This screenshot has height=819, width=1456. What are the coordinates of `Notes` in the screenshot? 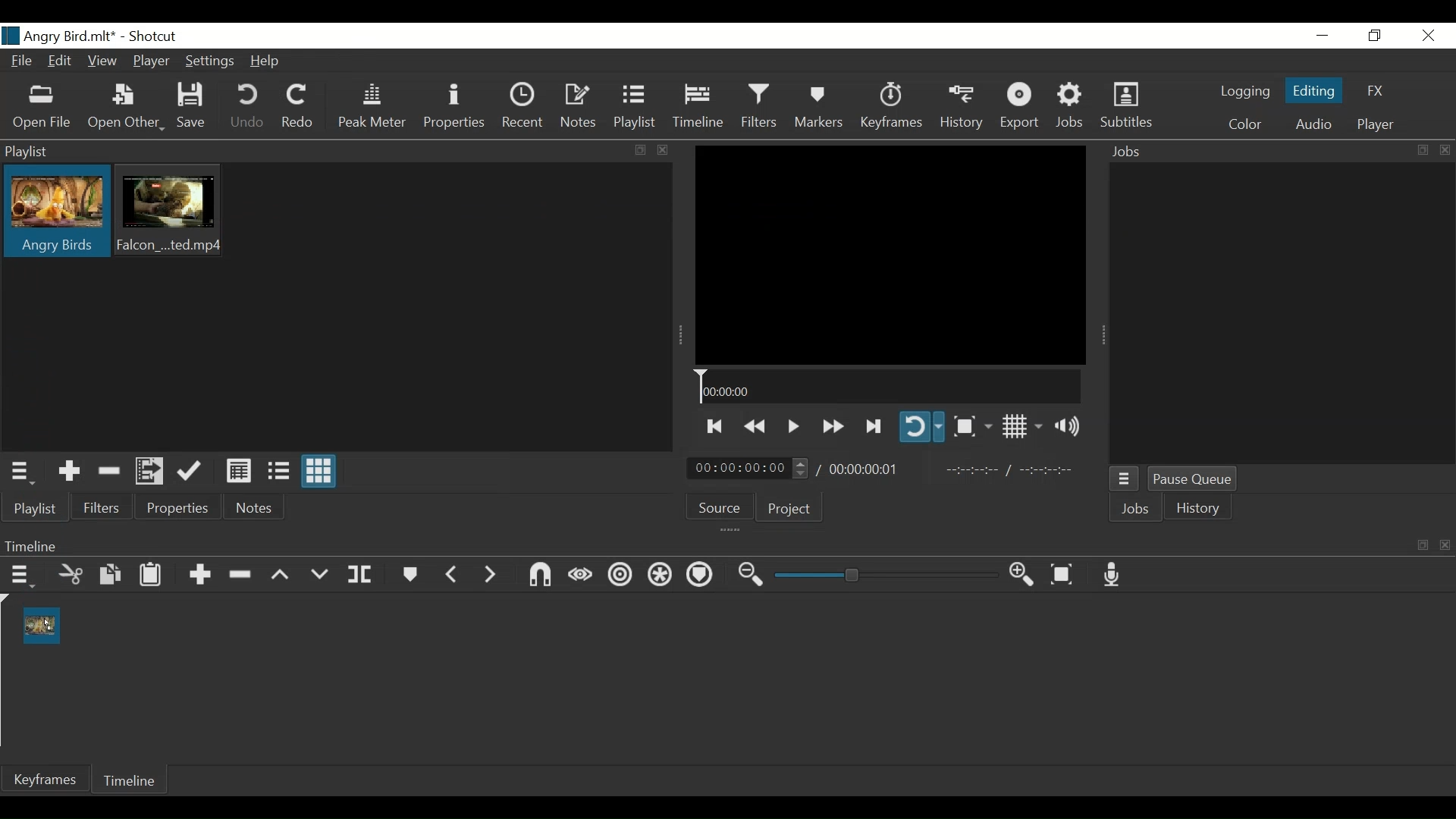 It's located at (256, 510).